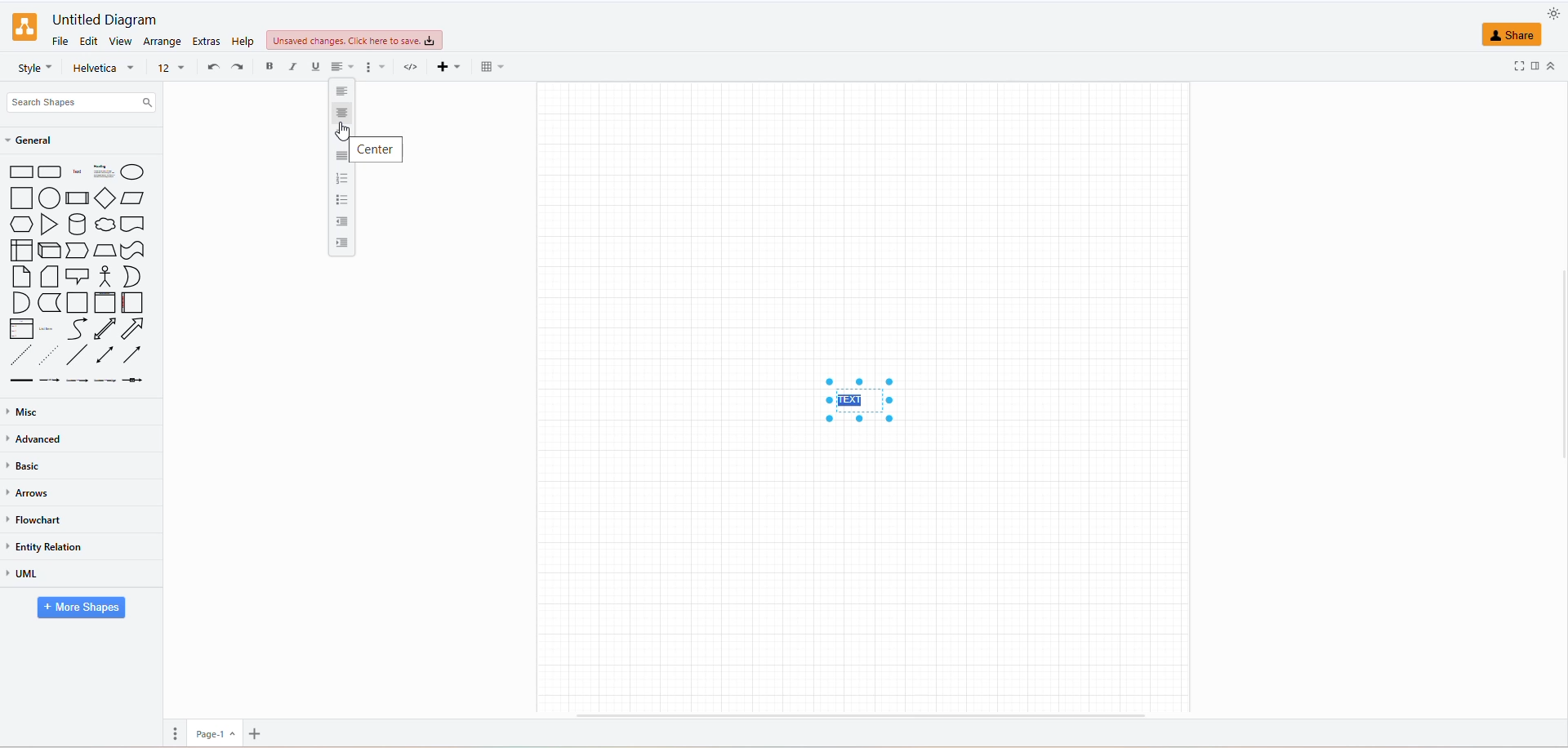  I want to click on format, so click(1537, 65).